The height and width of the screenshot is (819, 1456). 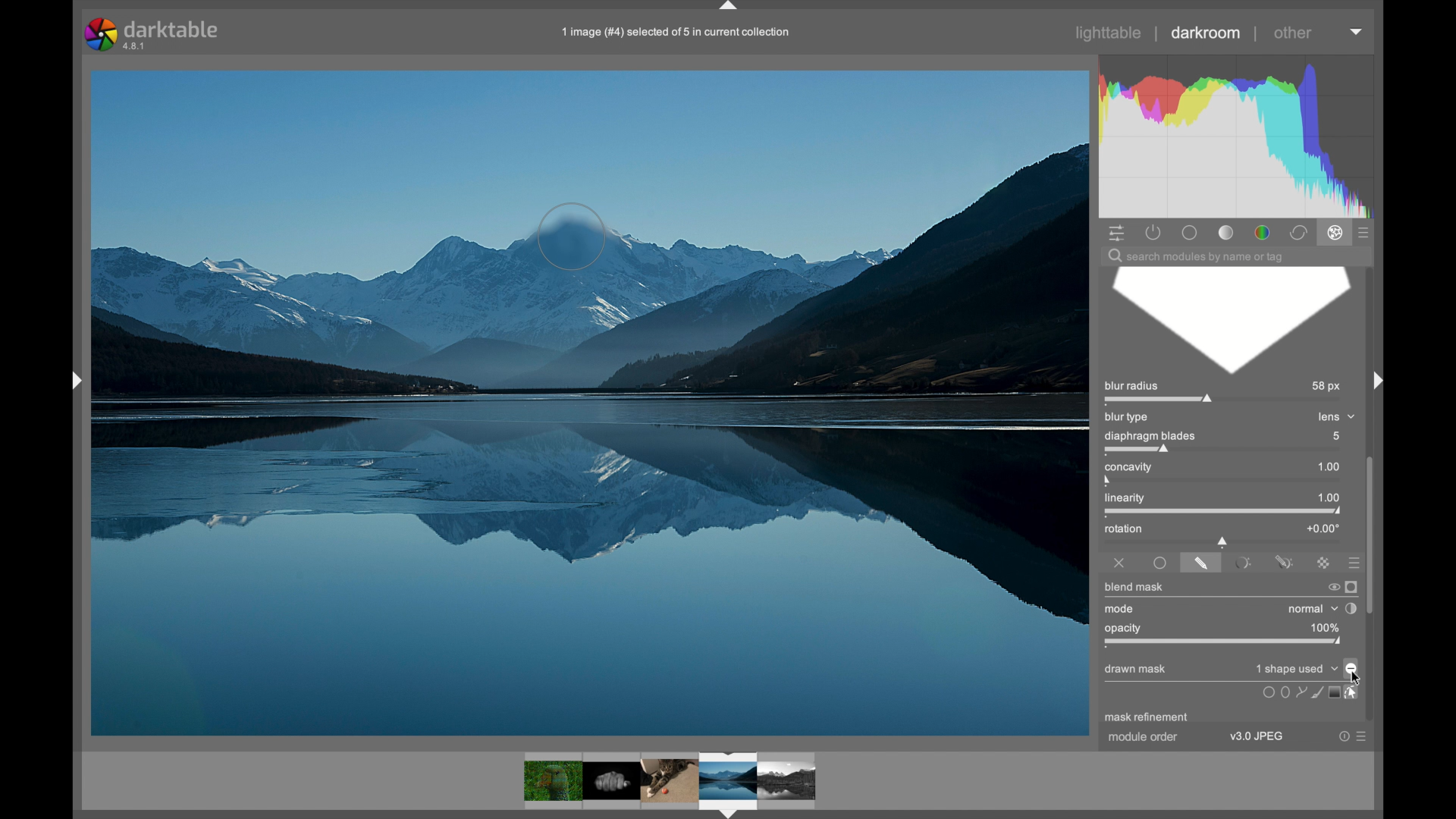 What do you see at coordinates (75, 382) in the screenshot?
I see `drag handle` at bounding box center [75, 382].